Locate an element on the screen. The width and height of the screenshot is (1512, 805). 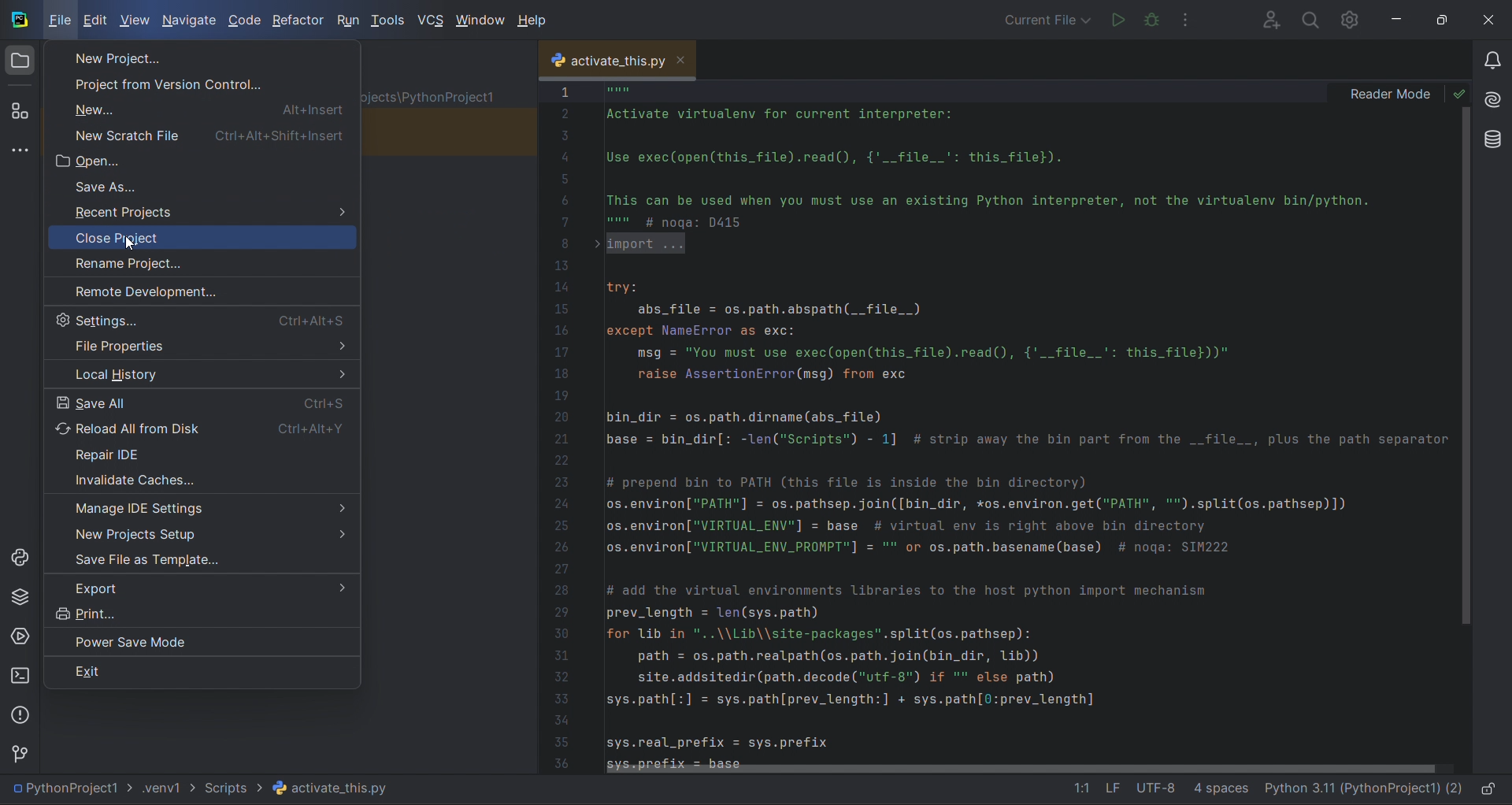
new scratch file is located at coordinates (198, 131).